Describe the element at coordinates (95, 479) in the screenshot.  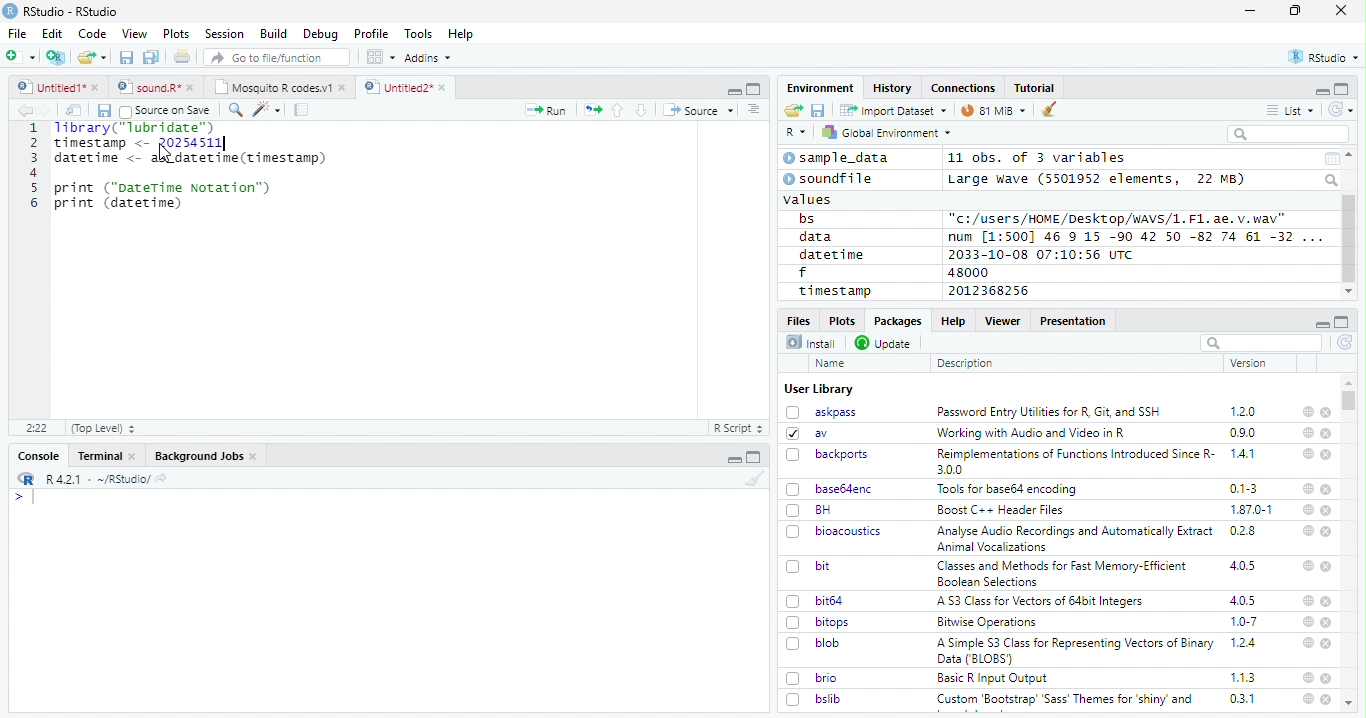
I see `R 4.2.1 - ~/RStudio/` at that location.